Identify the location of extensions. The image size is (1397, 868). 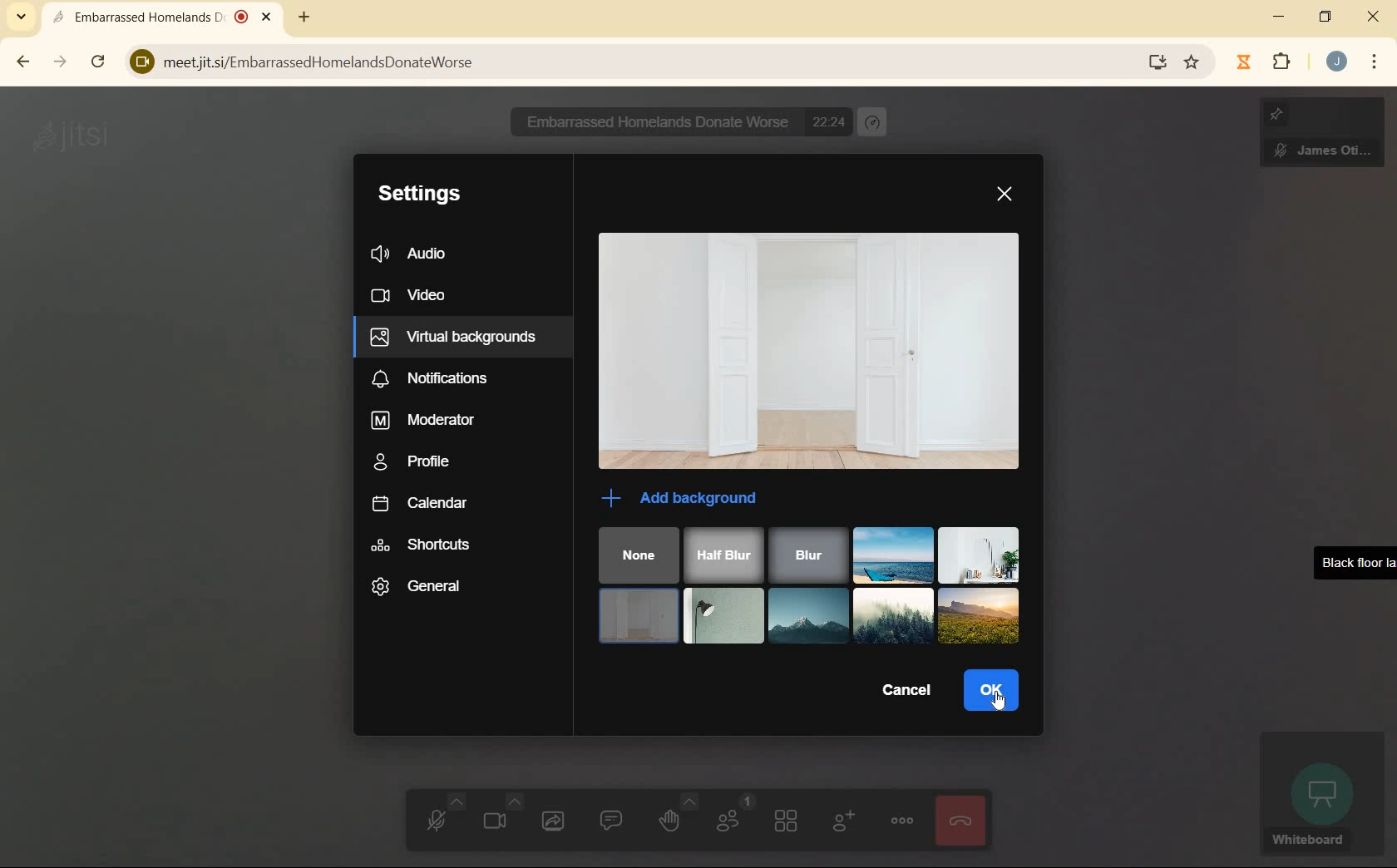
(1265, 62).